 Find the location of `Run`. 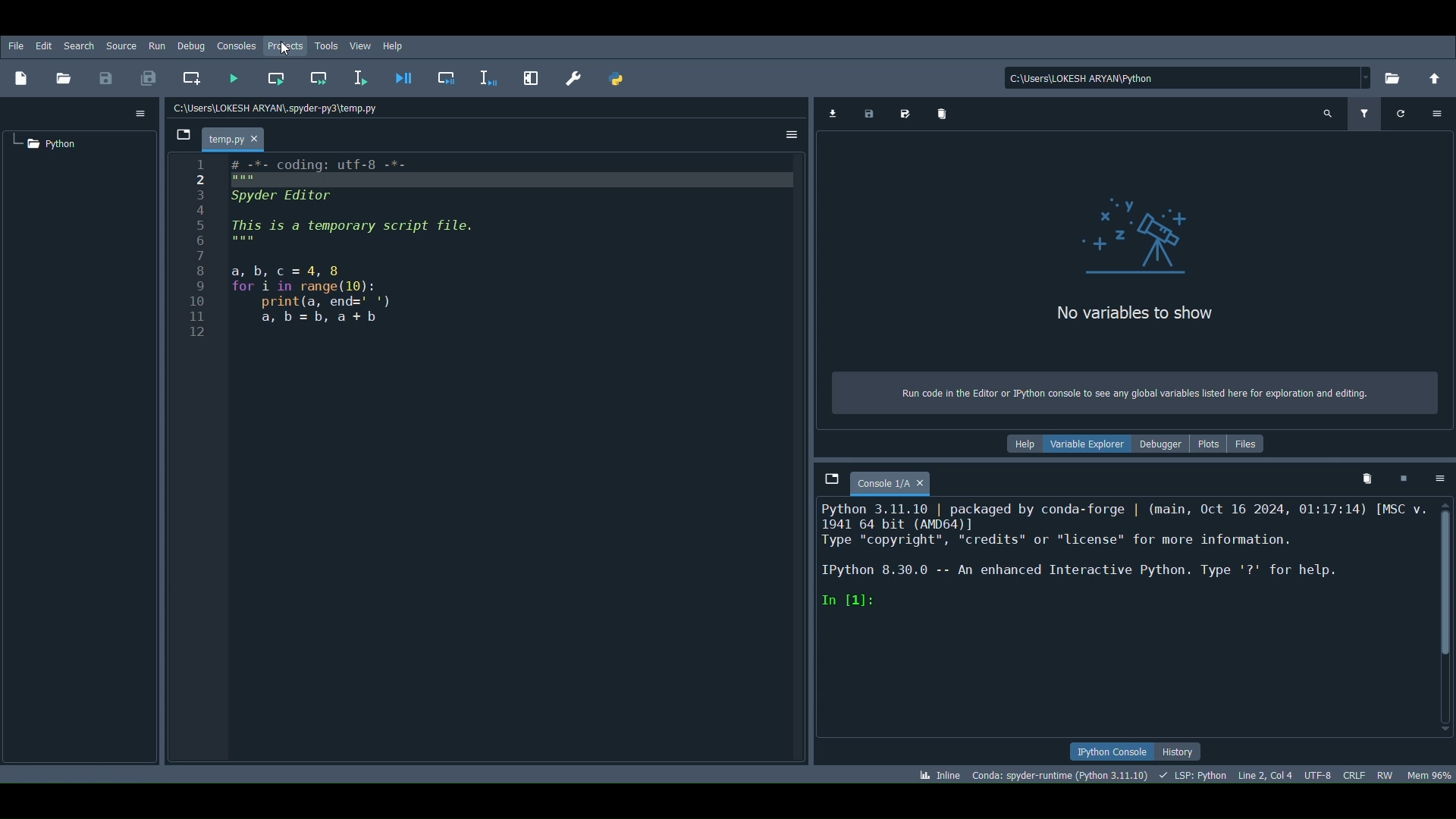

Run is located at coordinates (155, 45).